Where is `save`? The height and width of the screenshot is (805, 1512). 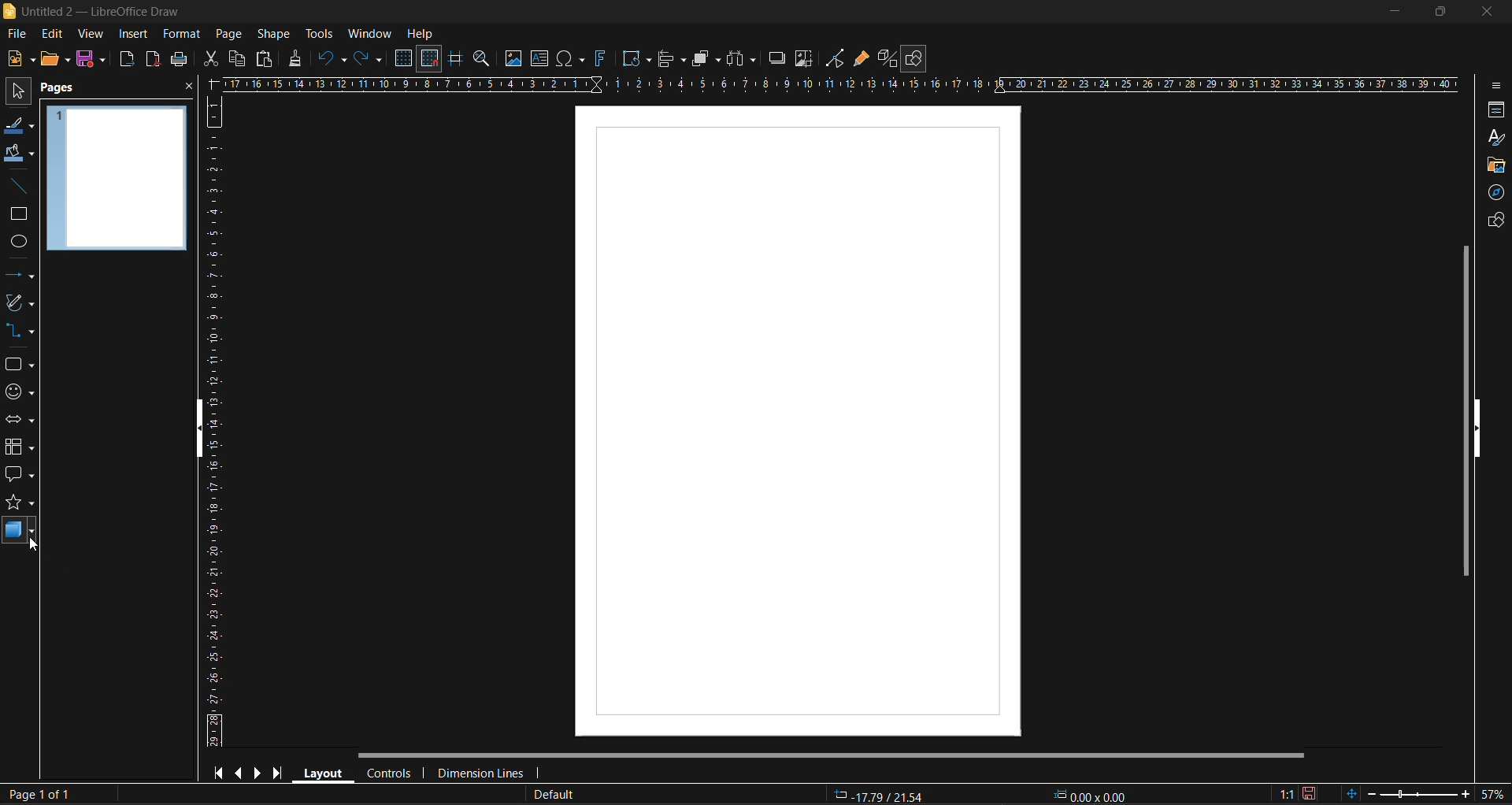
save is located at coordinates (94, 60).